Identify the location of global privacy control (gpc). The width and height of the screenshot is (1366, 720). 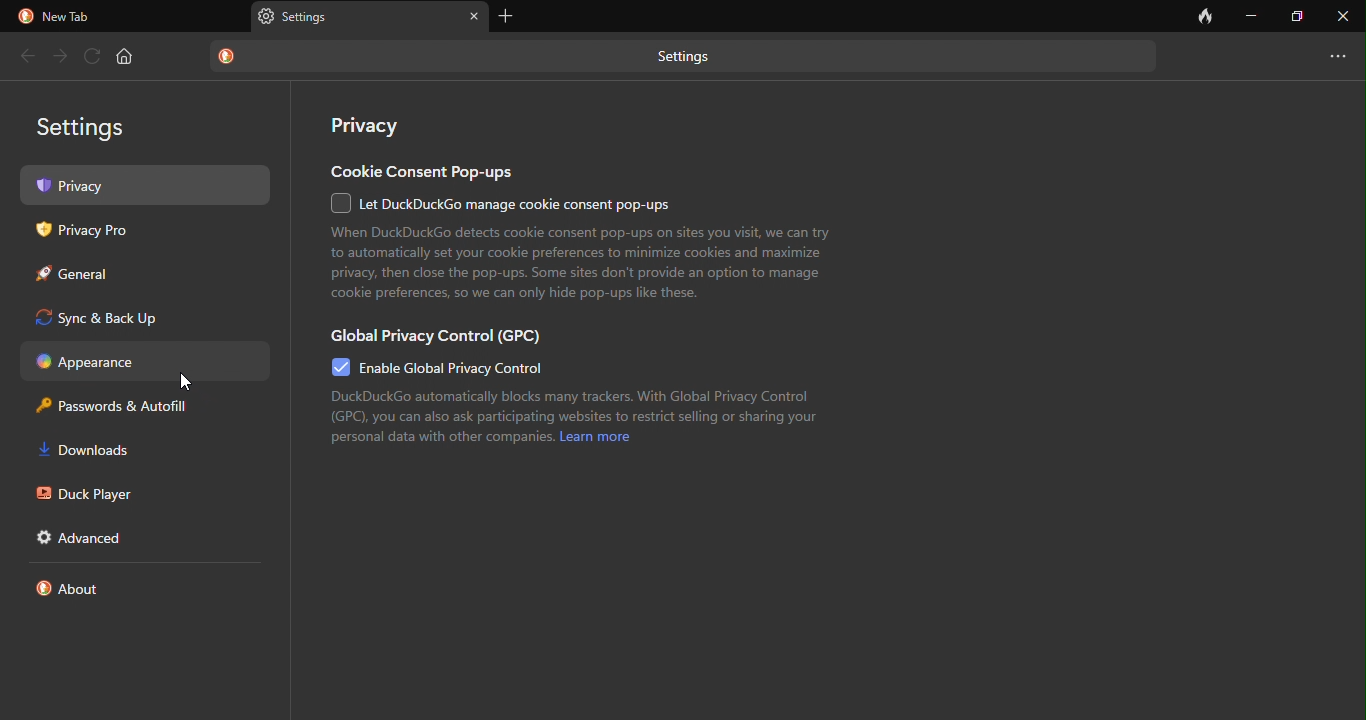
(450, 335).